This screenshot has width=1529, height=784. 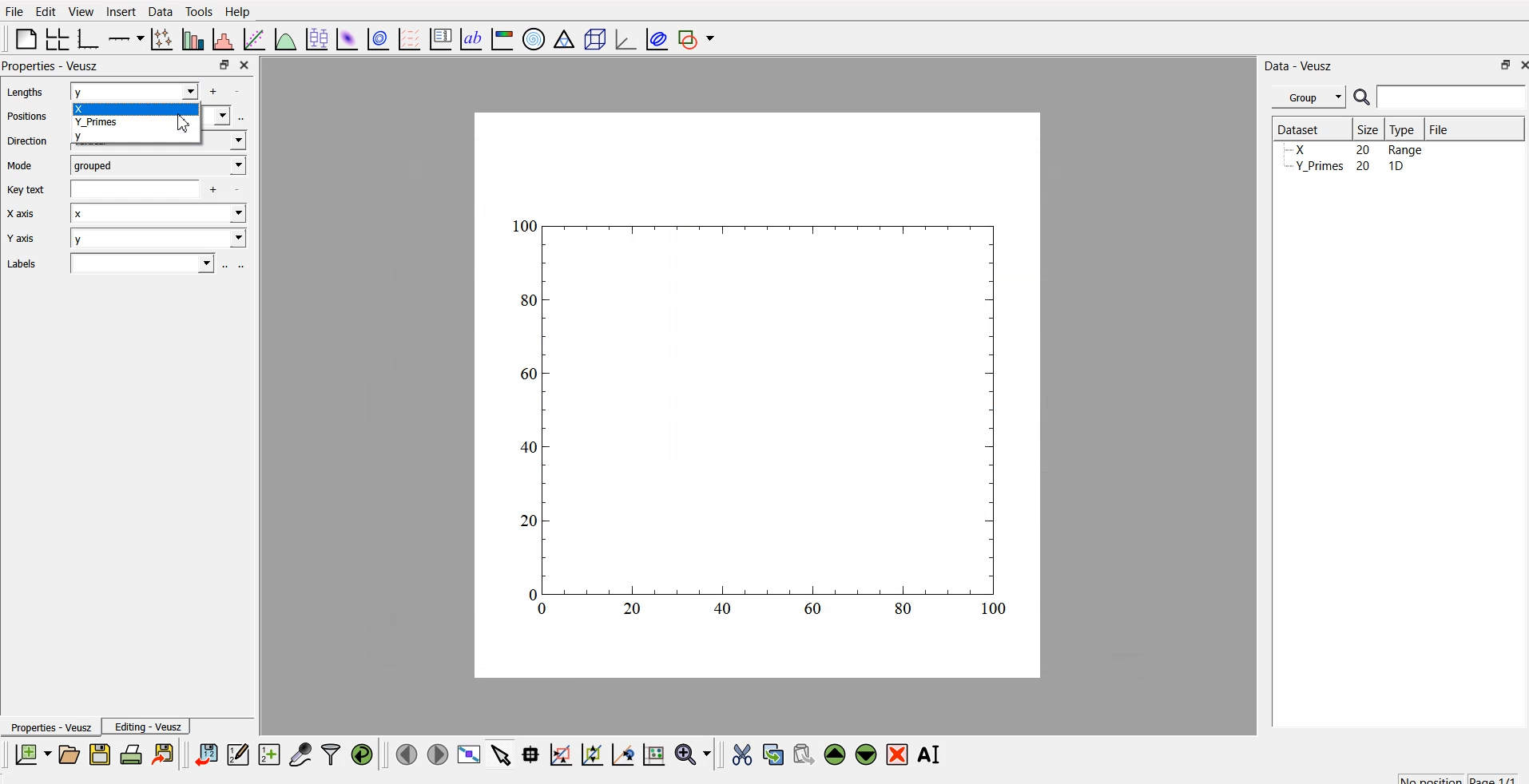 What do you see at coordinates (502, 754) in the screenshot?
I see `select items from graph` at bounding box center [502, 754].